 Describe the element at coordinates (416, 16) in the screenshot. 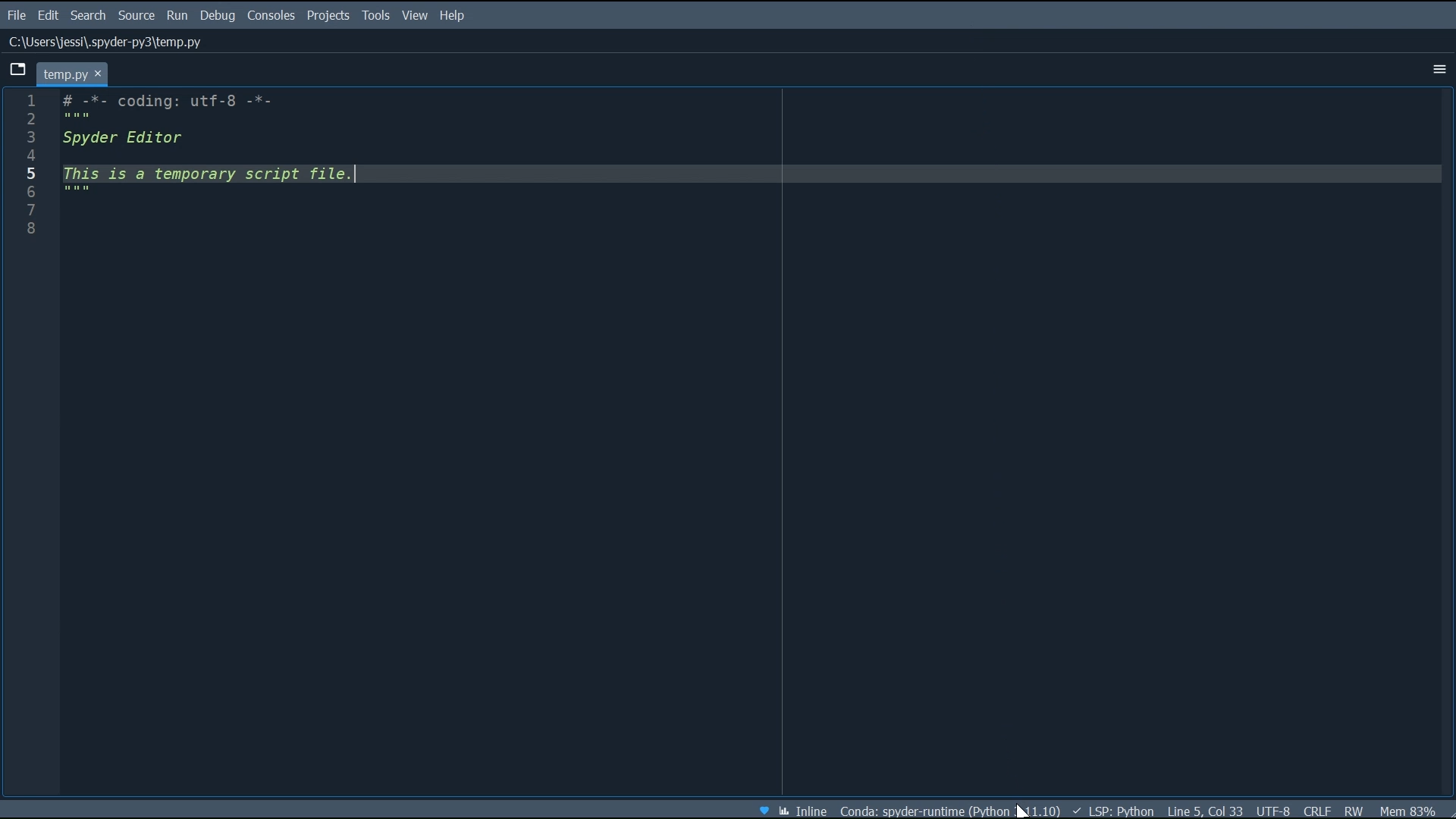

I see `View` at that location.